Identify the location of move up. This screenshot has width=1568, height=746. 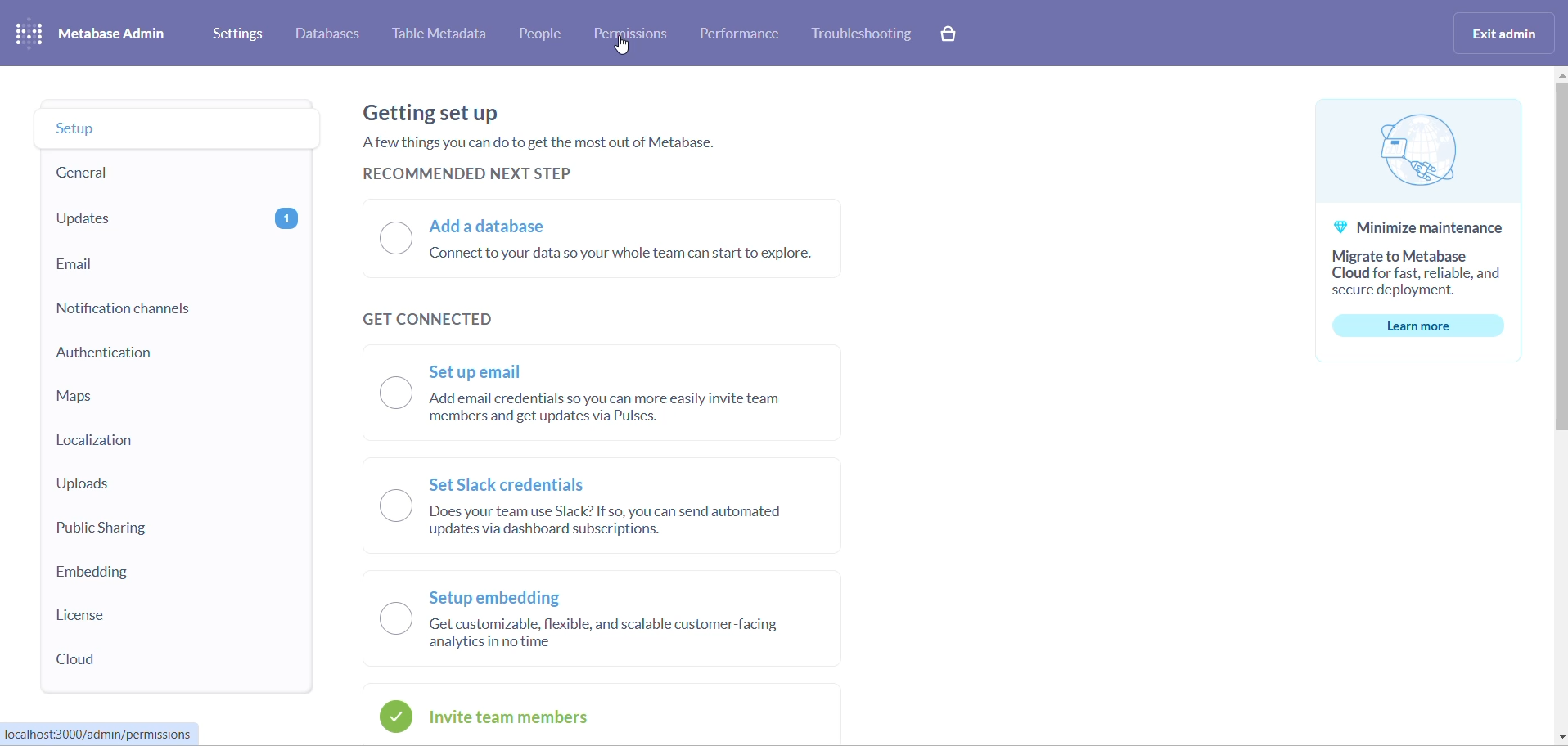
(1558, 77).